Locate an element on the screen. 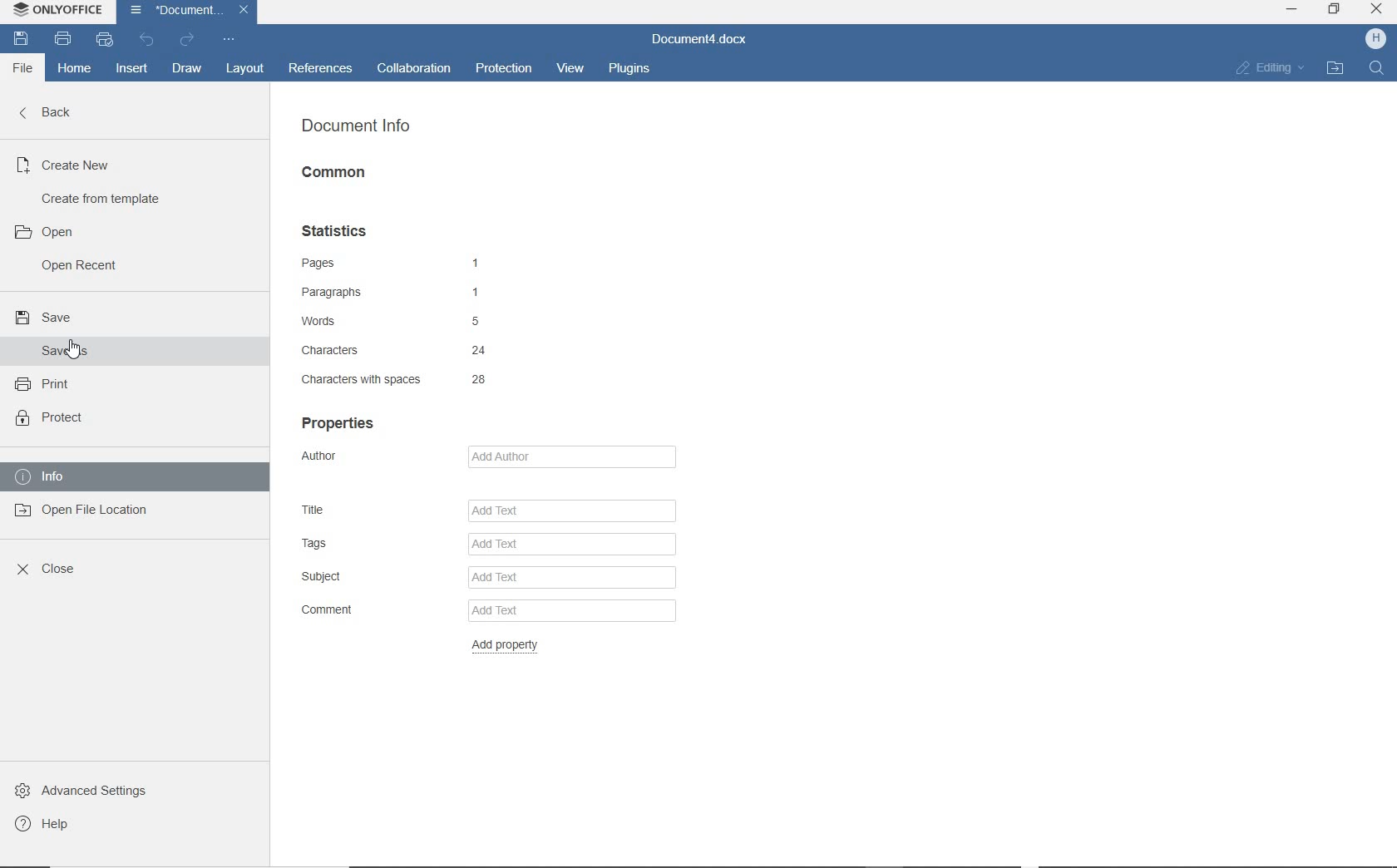 Image resolution: width=1397 pixels, height=868 pixels. Info is located at coordinates (44, 476).